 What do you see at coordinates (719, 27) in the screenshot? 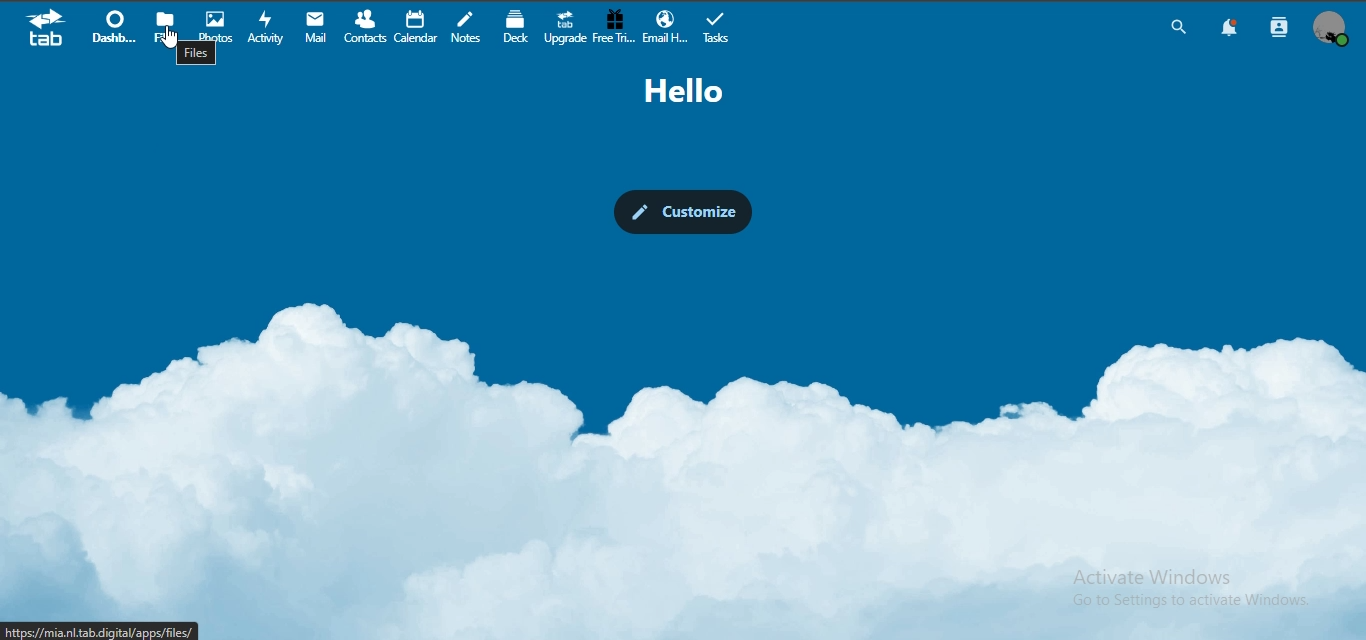
I see `tasks` at bounding box center [719, 27].